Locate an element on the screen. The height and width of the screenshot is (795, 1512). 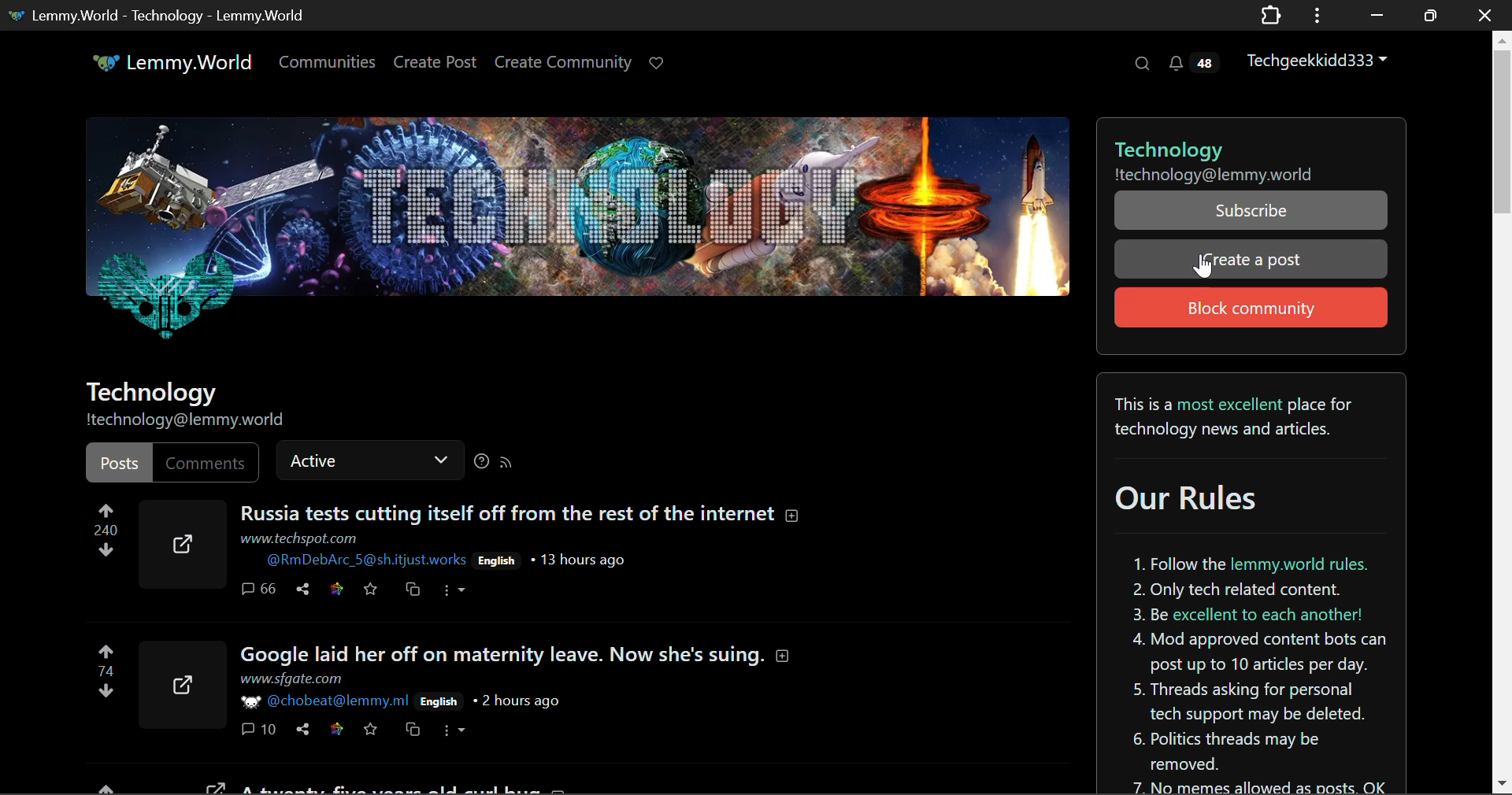
Minimize Window is located at coordinates (1432, 15).